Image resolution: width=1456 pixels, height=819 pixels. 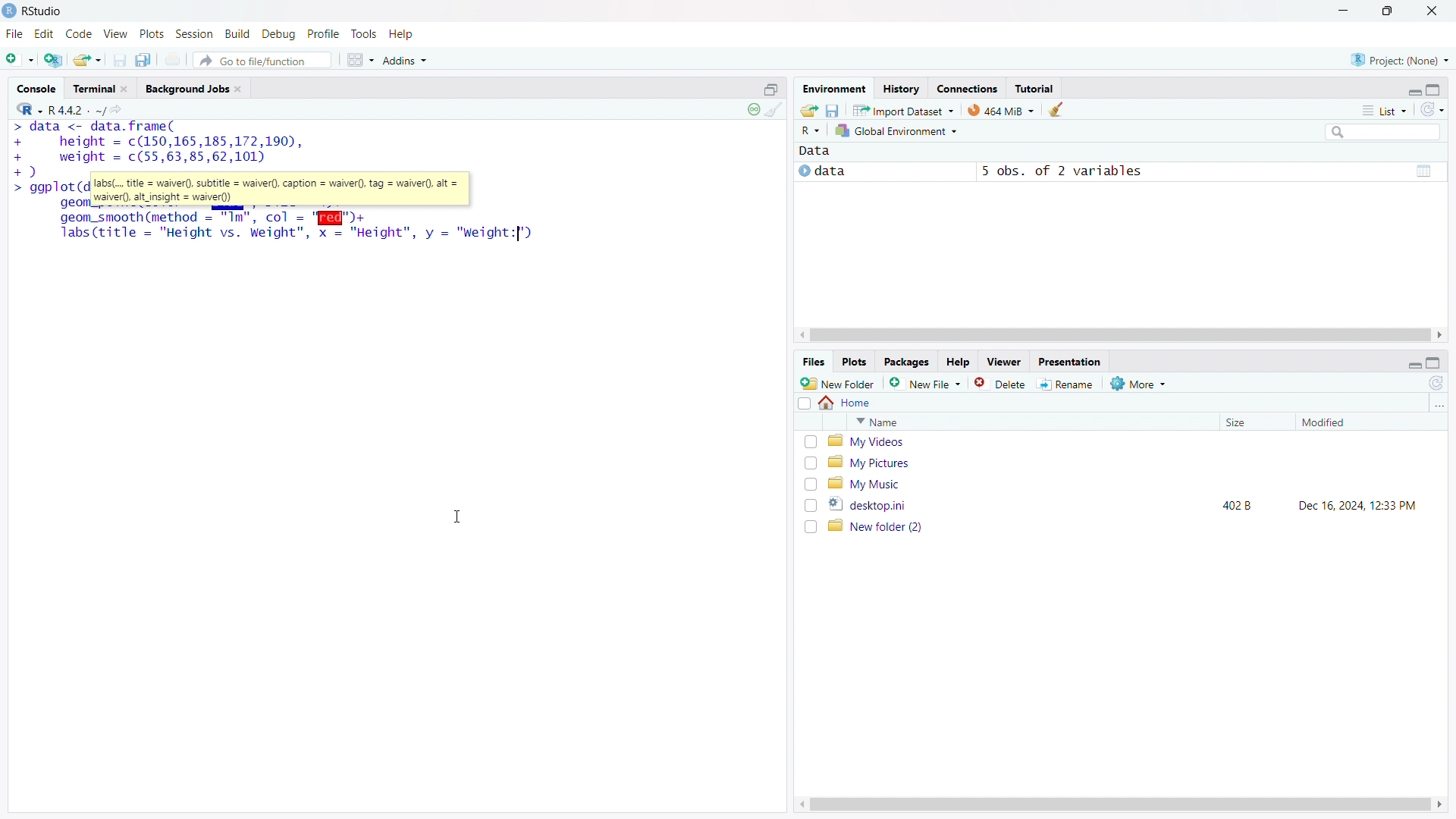 What do you see at coordinates (1001, 109) in the screenshot?
I see `memory used by R session` at bounding box center [1001, 109].